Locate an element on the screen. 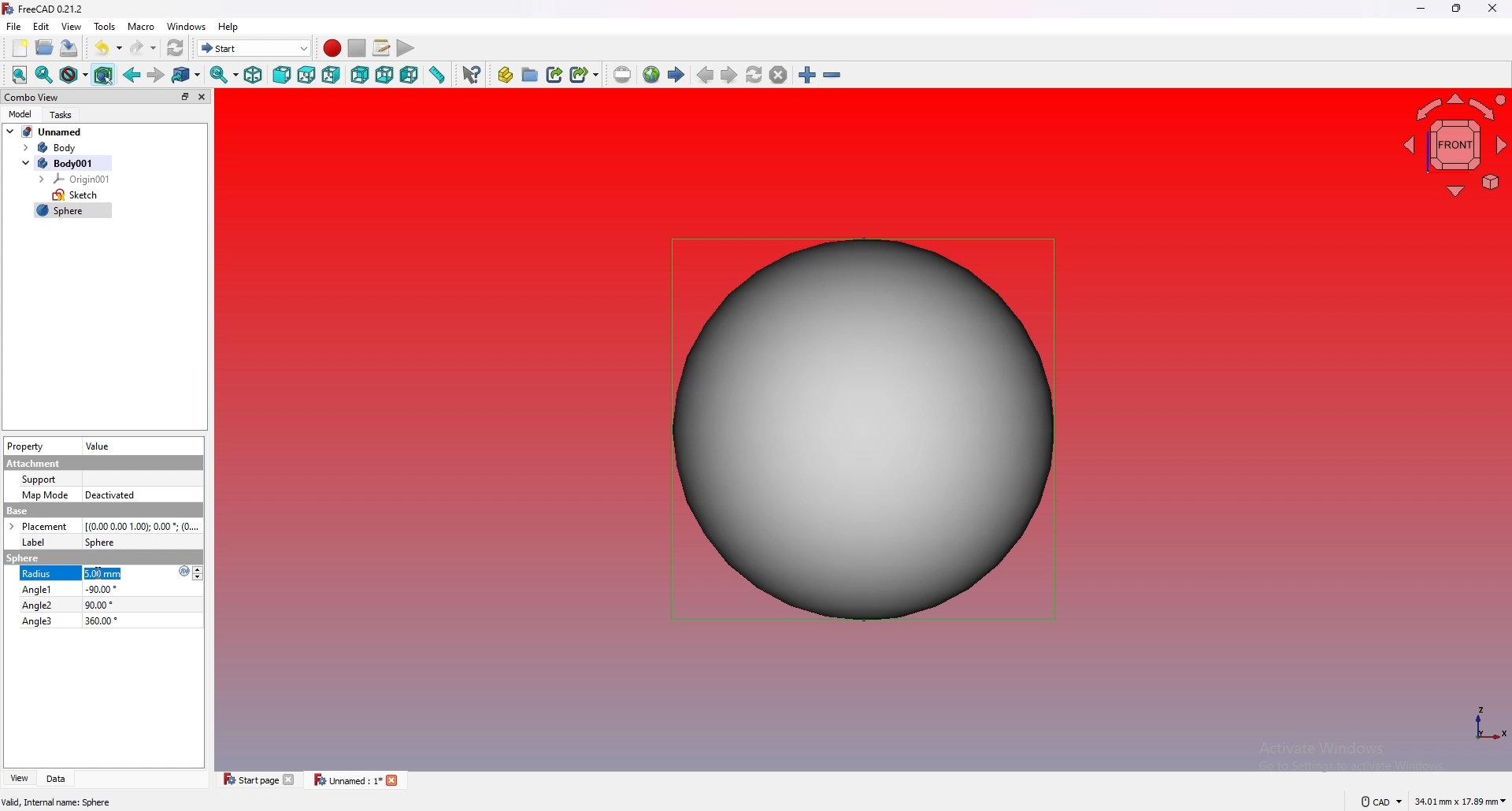  tab 2 is located at coordinates (358, 780).